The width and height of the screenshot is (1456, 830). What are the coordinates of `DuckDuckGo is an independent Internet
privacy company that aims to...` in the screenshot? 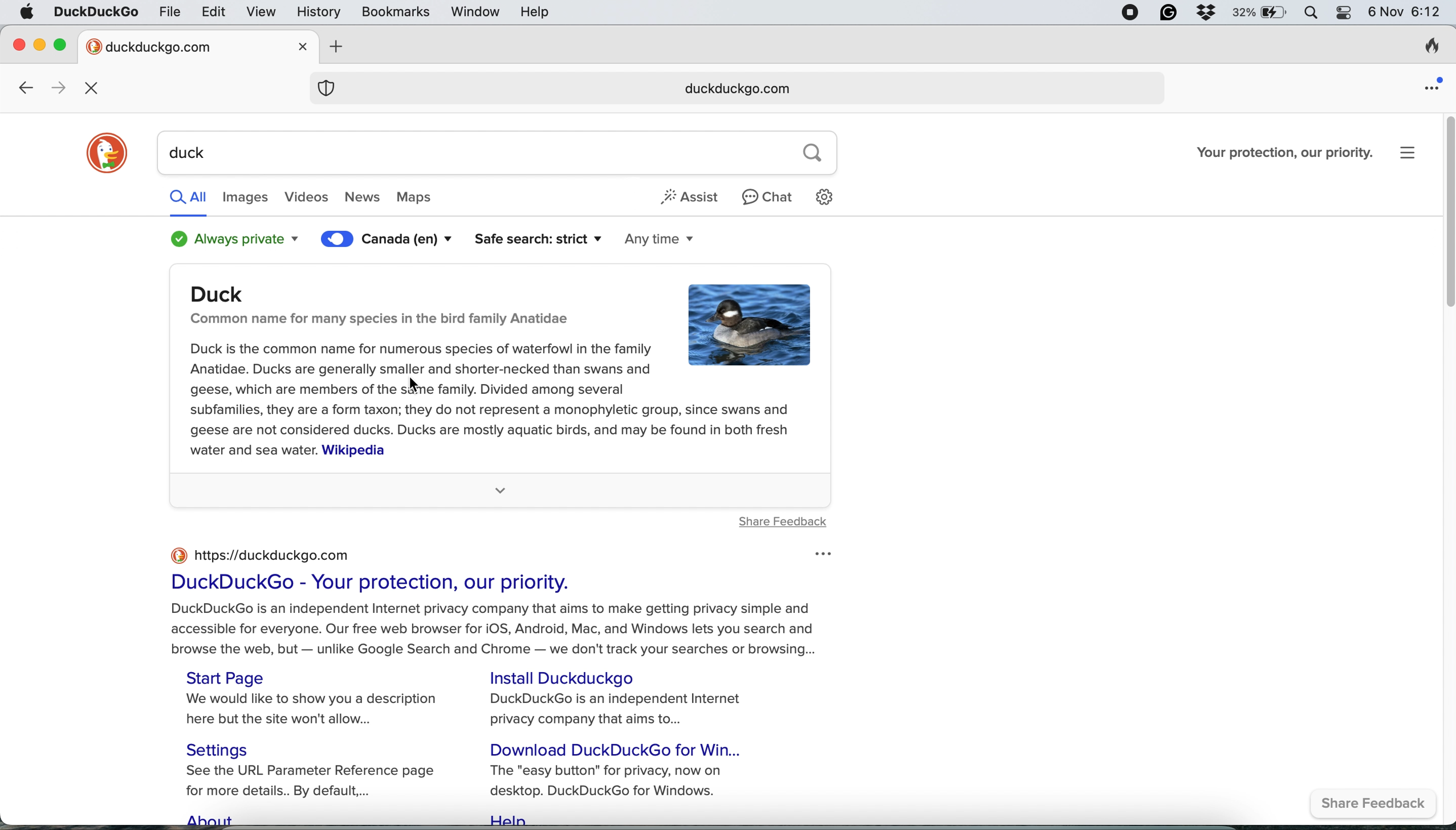 It's located at (619, 710).